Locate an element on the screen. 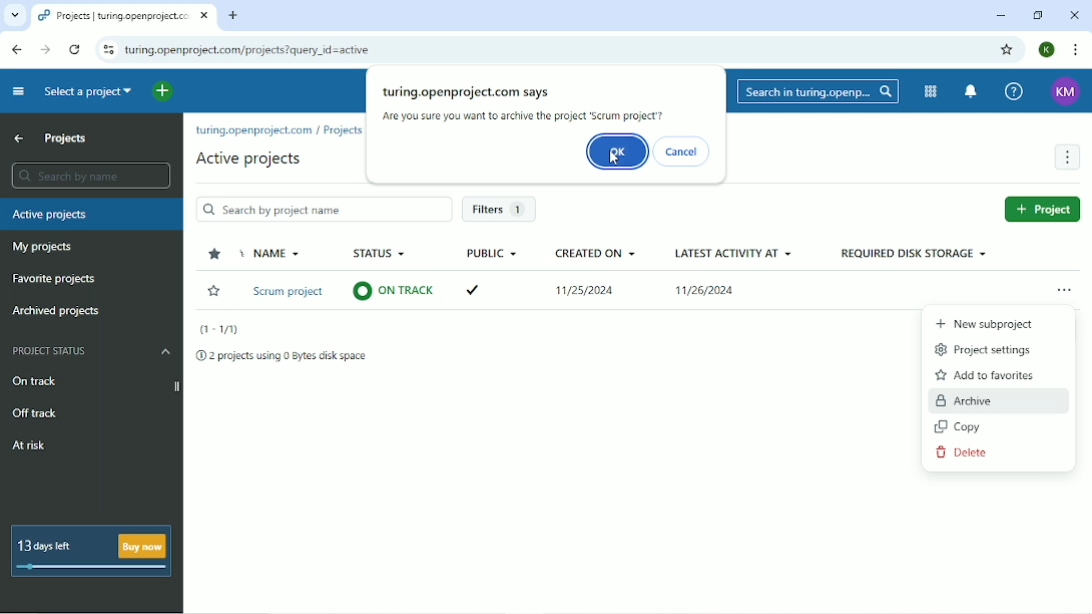 The width and height of the screenshot is (1092, 614). New tab is located at coordinates (233, 15).